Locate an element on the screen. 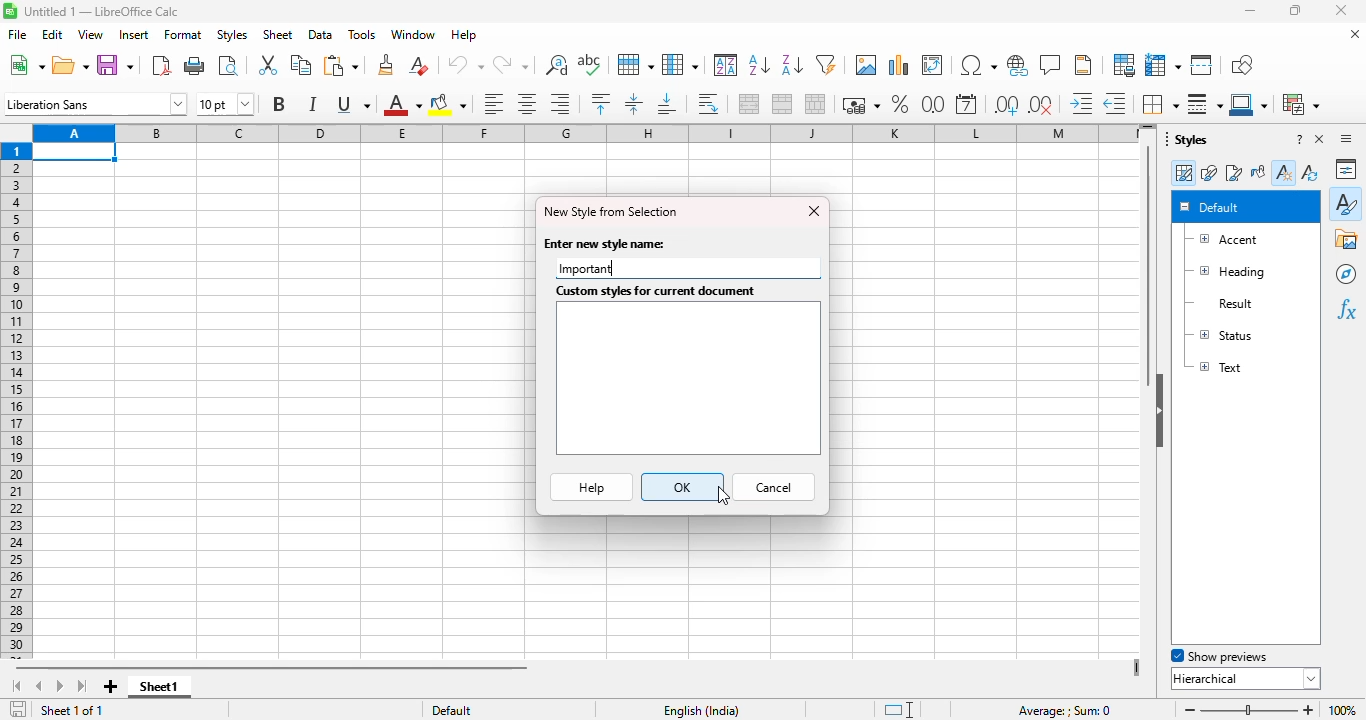 The height and width of the screenshot is (720, 1366). cancel is located at coordinates (773, 487).